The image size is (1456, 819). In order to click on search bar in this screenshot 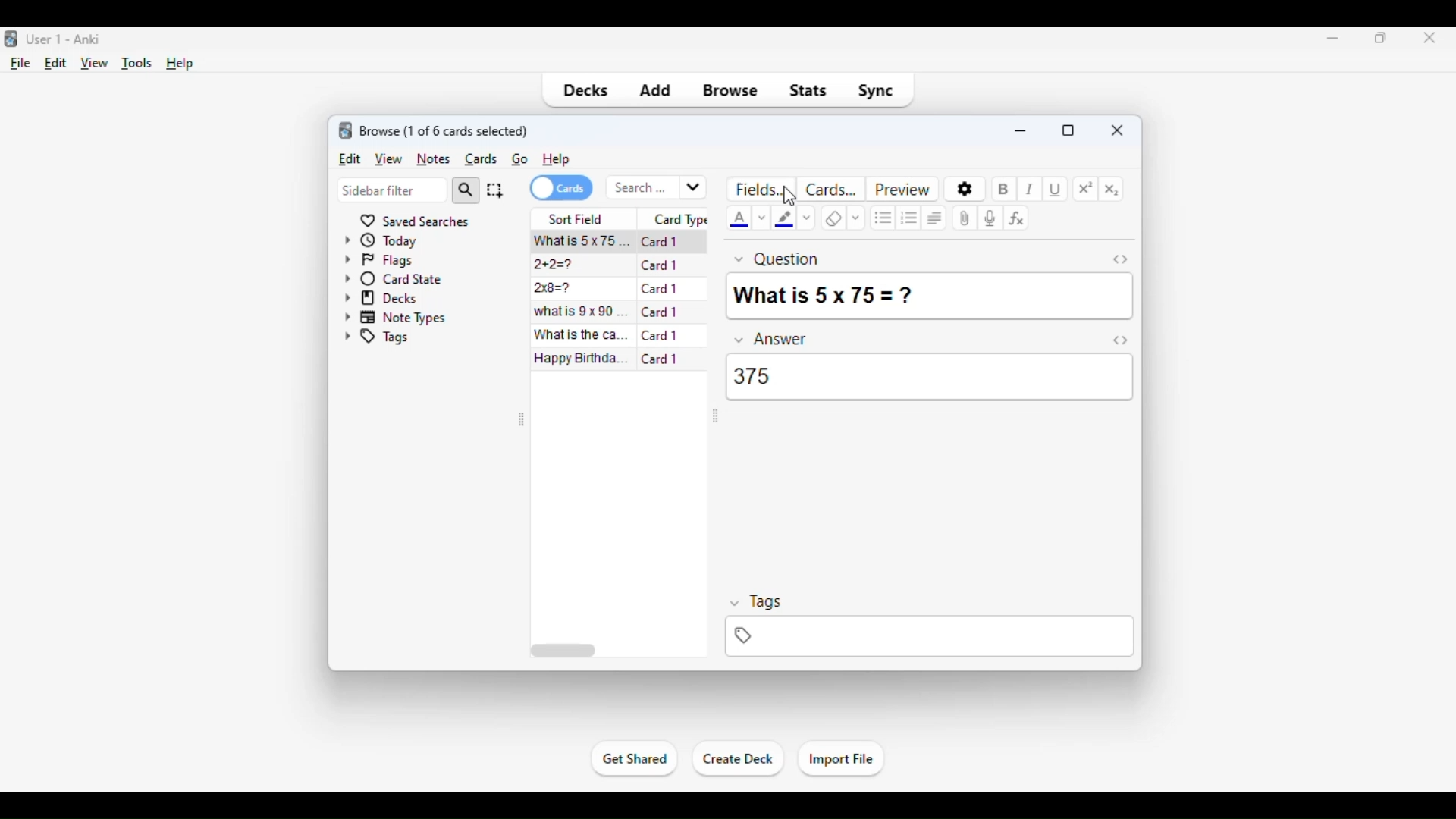, I will do `click(657, 188)`.